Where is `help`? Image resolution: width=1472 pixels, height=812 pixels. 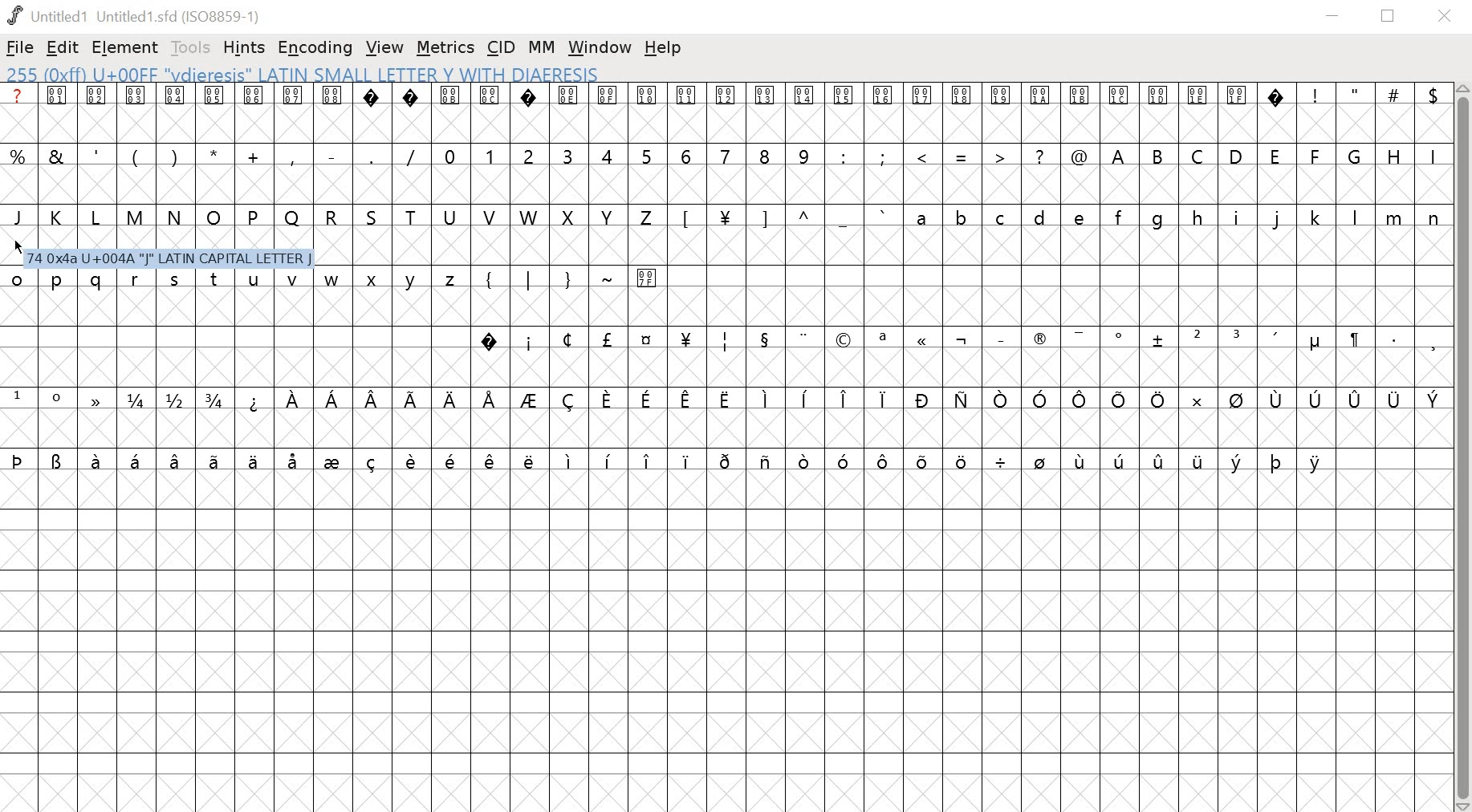 help is located at coordinates (663, 48).